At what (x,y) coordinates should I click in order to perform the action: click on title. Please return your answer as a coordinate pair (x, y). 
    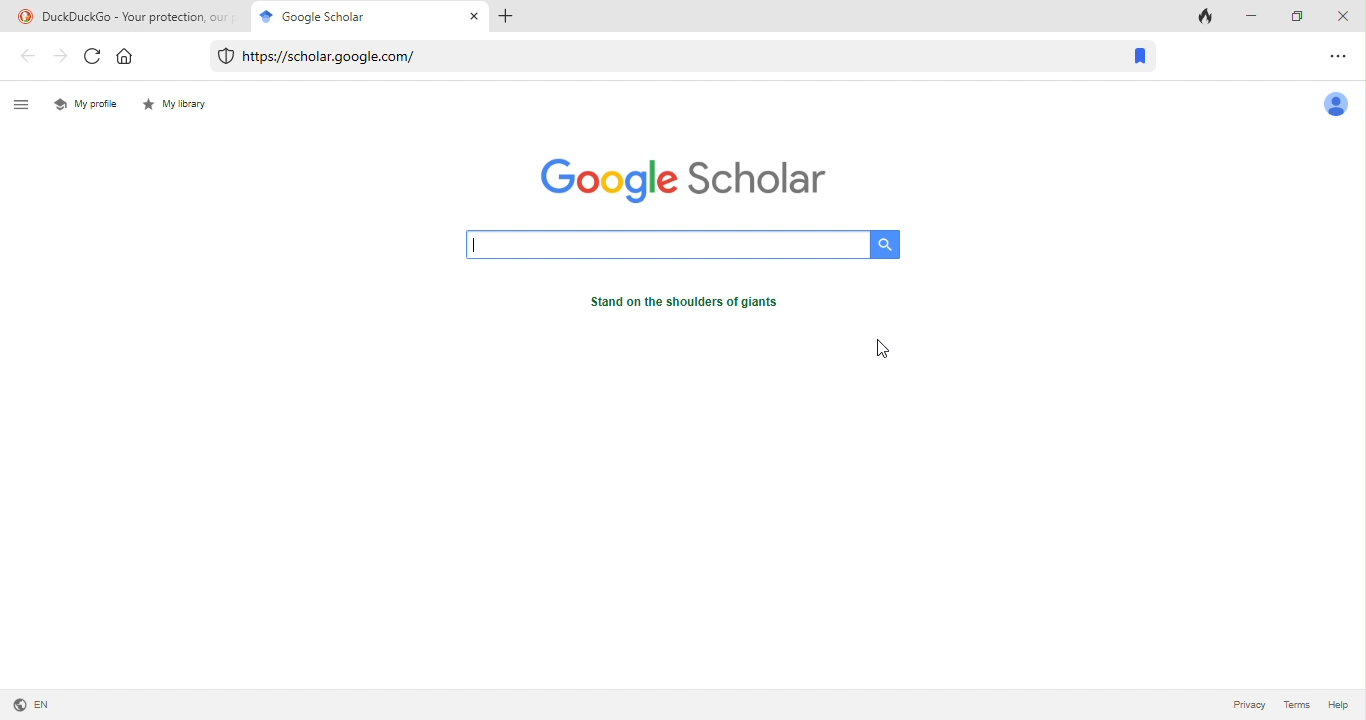
    Looking at the image, I should click on (124, 15).